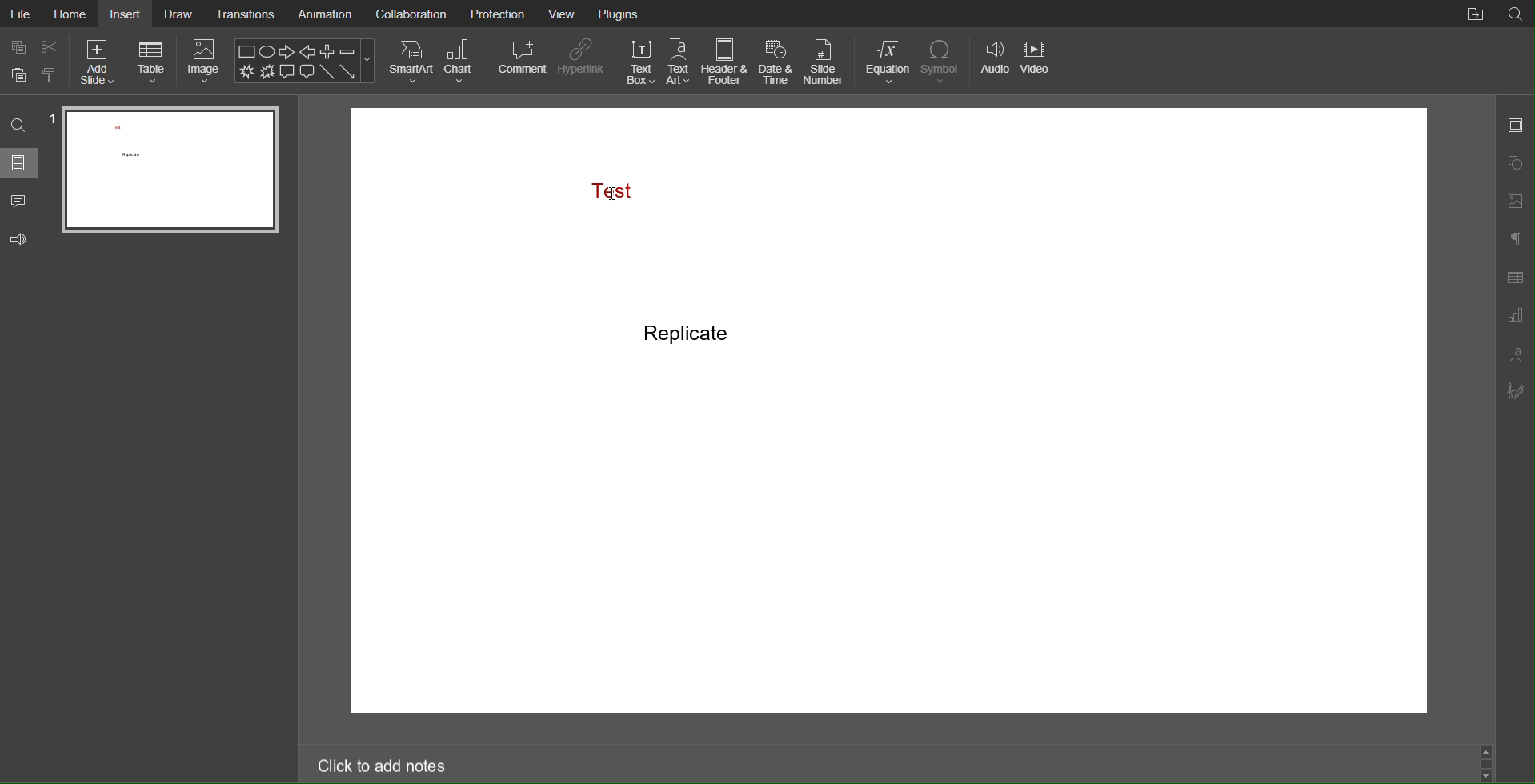 This screenshot has width=1535, height=784. I want to click on Comment, so click(522, 61).